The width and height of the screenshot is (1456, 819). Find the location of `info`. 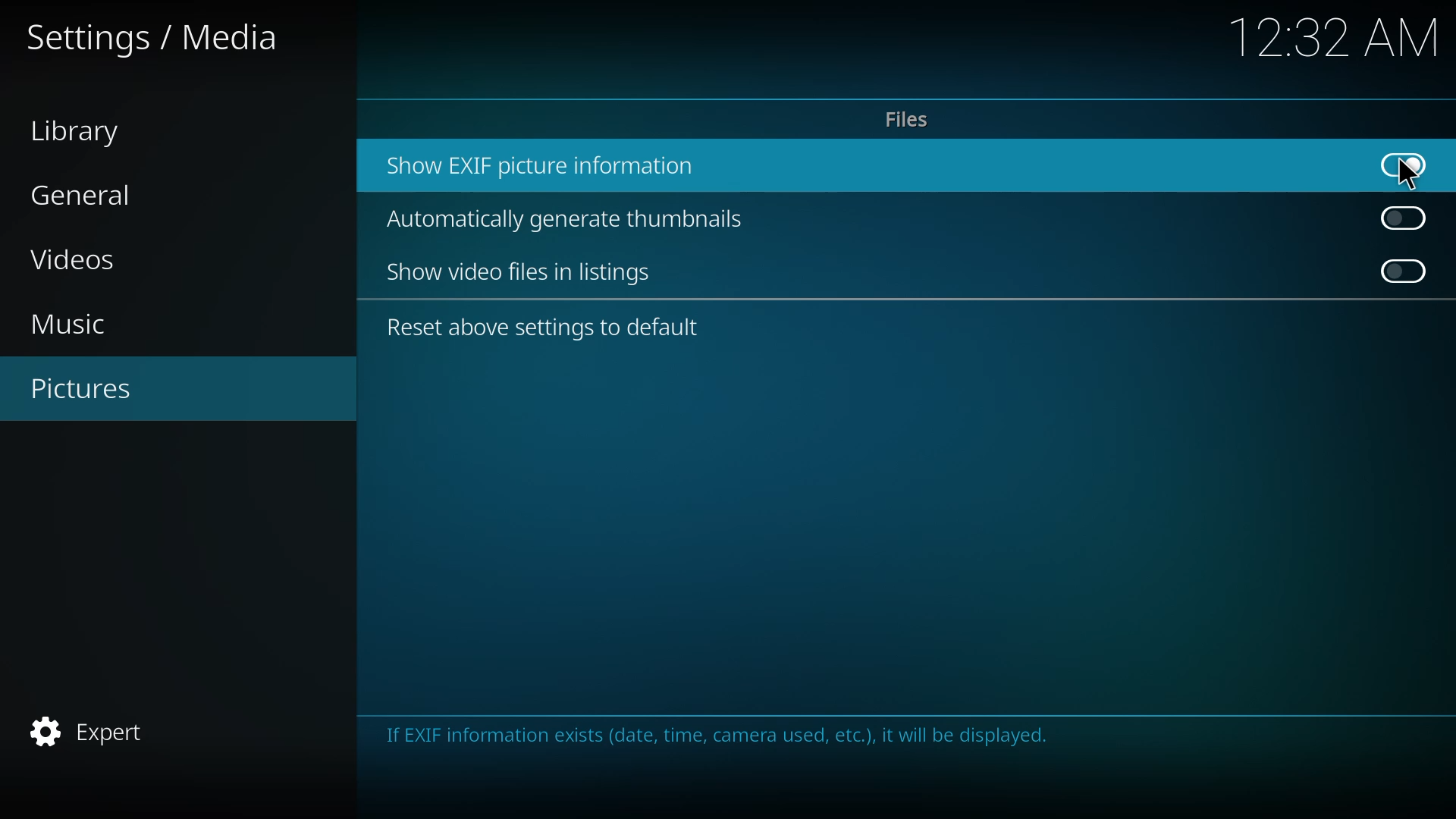

info is located at coordinates (719, 734).